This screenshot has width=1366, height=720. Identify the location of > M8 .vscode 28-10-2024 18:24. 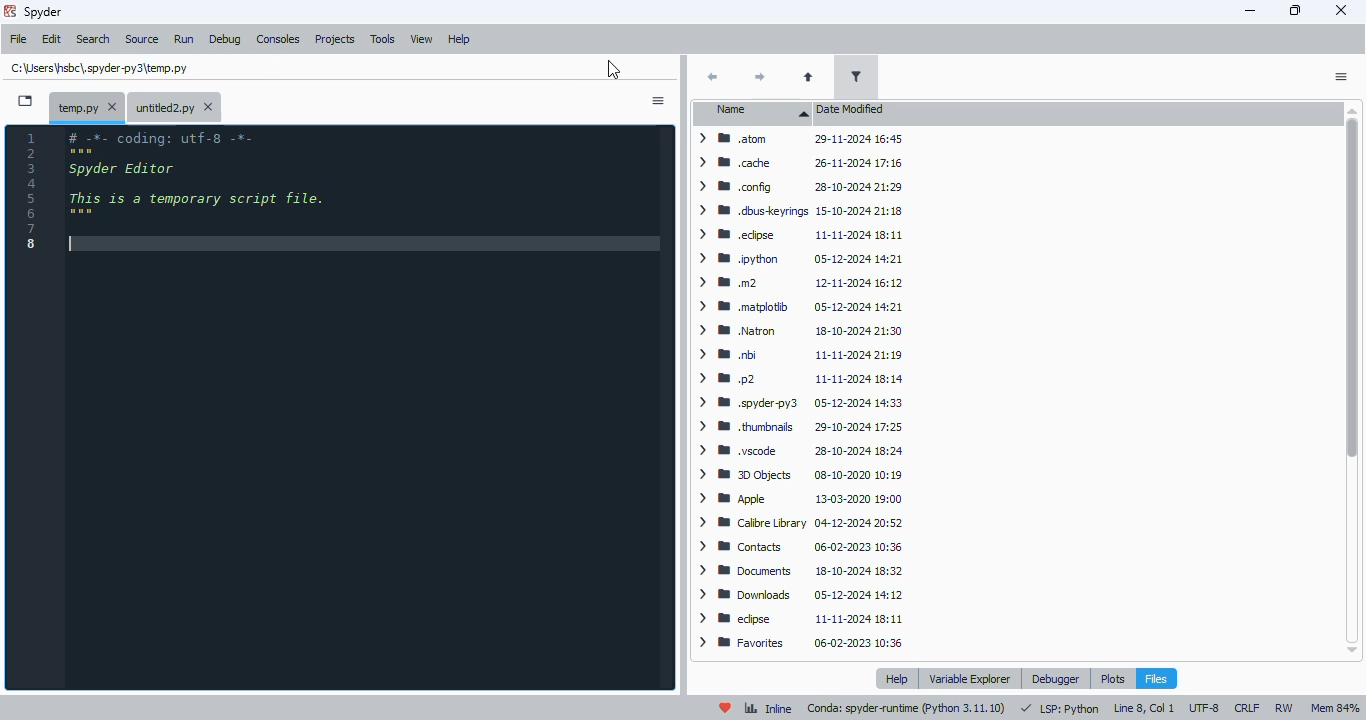
(798, 451).